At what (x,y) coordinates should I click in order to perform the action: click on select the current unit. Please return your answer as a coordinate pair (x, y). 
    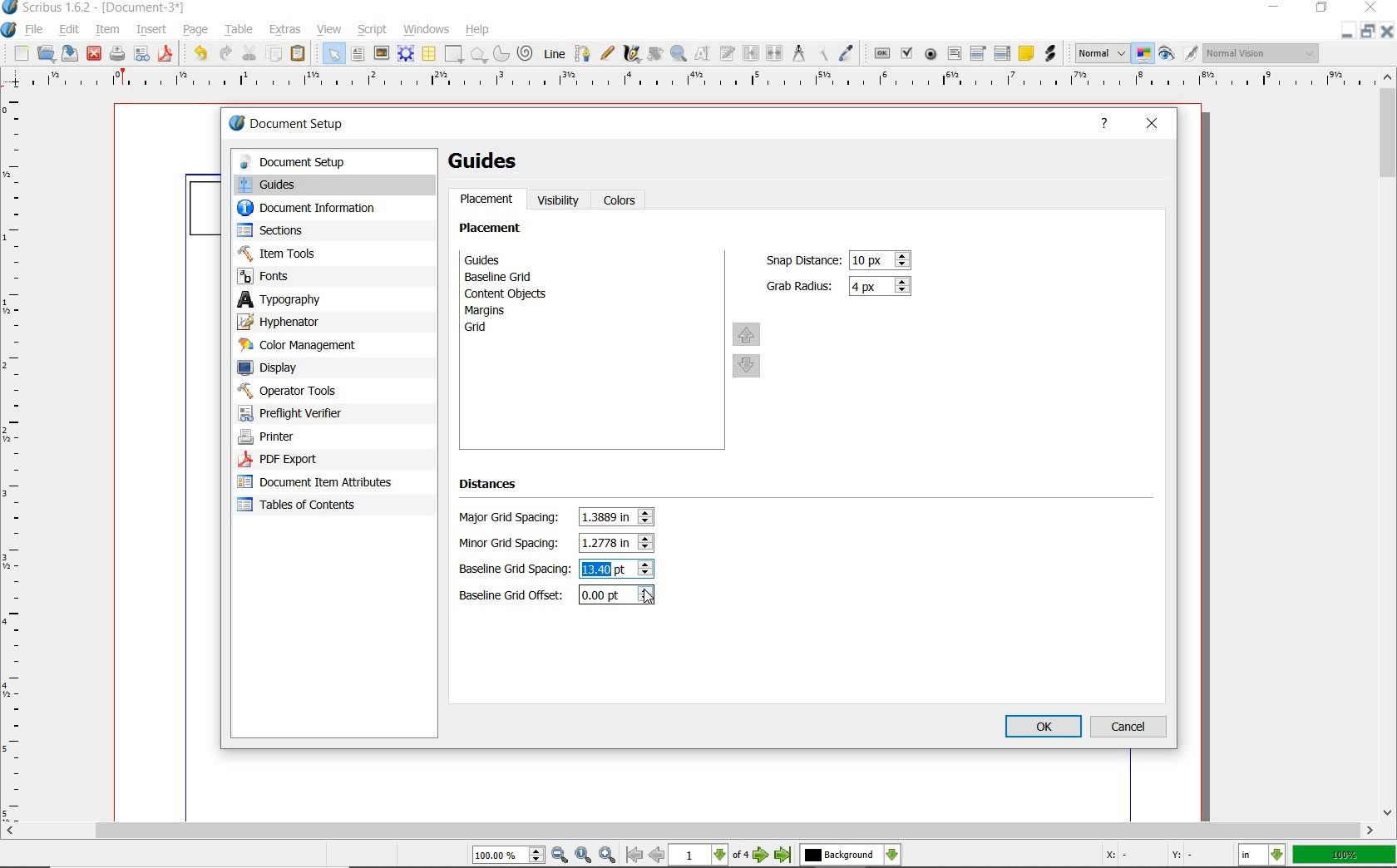
    Looking at the image, I should click on (1264, 856).